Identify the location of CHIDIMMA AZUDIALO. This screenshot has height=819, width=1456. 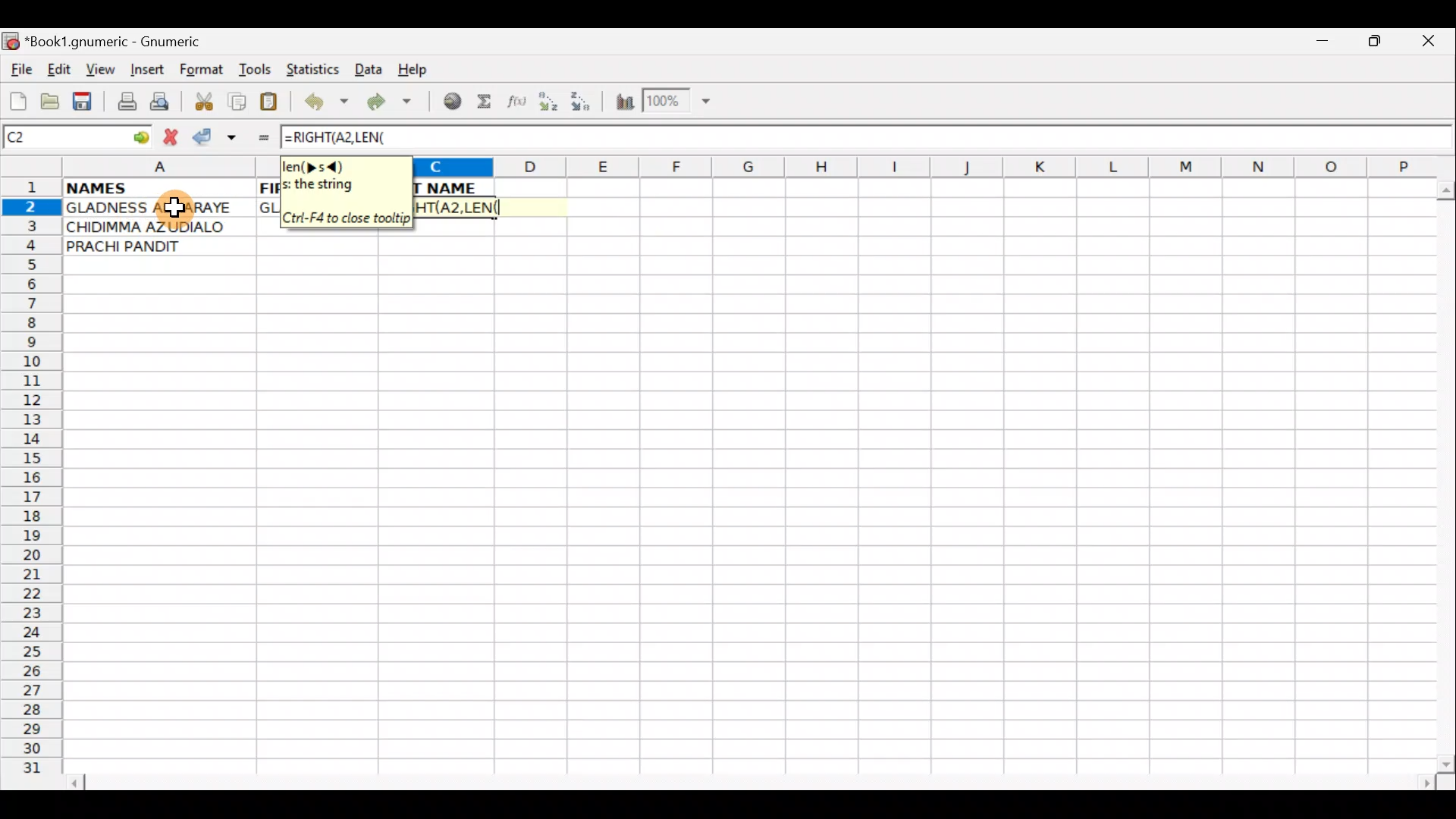
(150, 225).